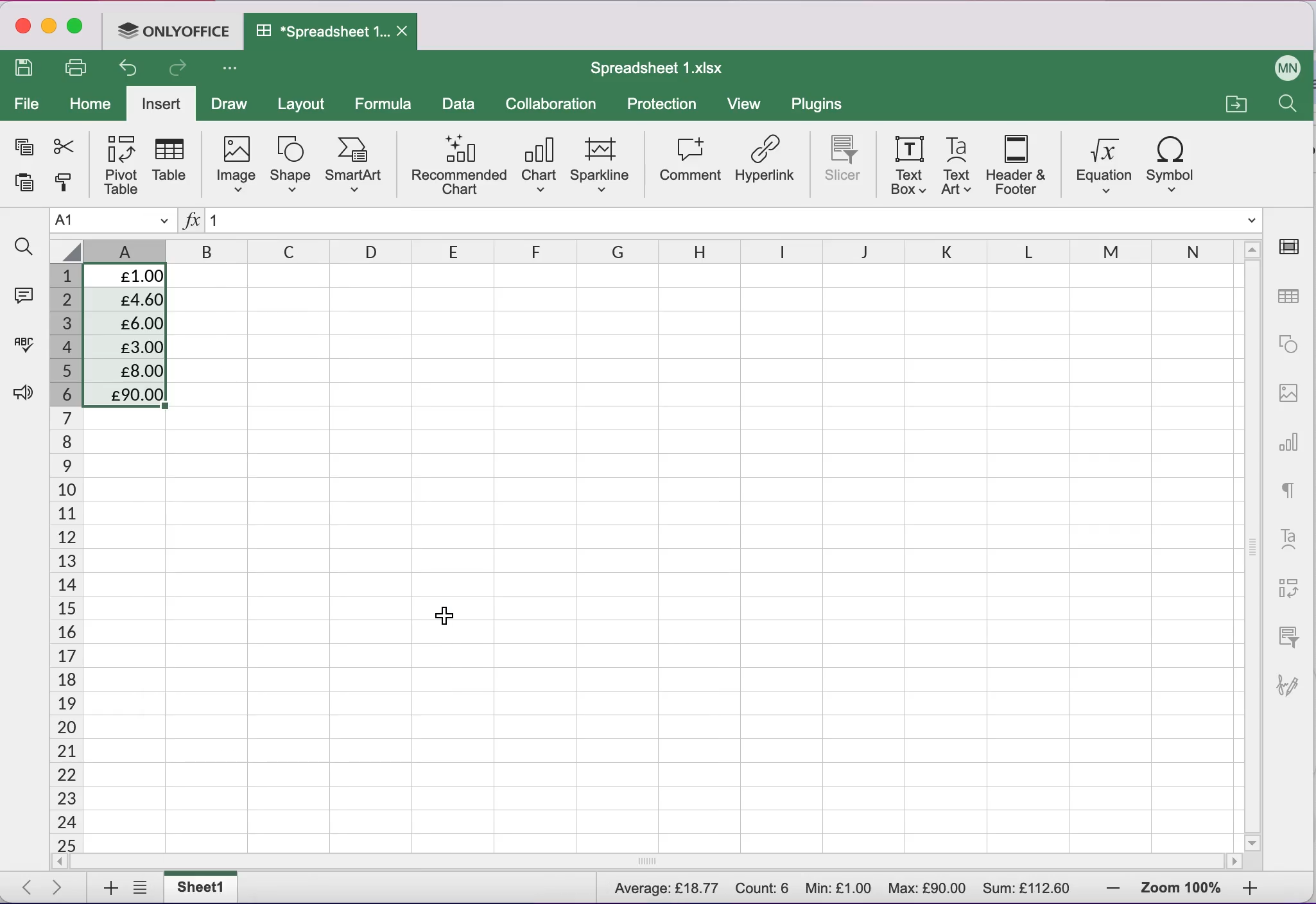 The image size is (1316, 904). What do you see at coordinates (645, 248) in the screenshot?
I see `columns` at bounding box center [645, 248].